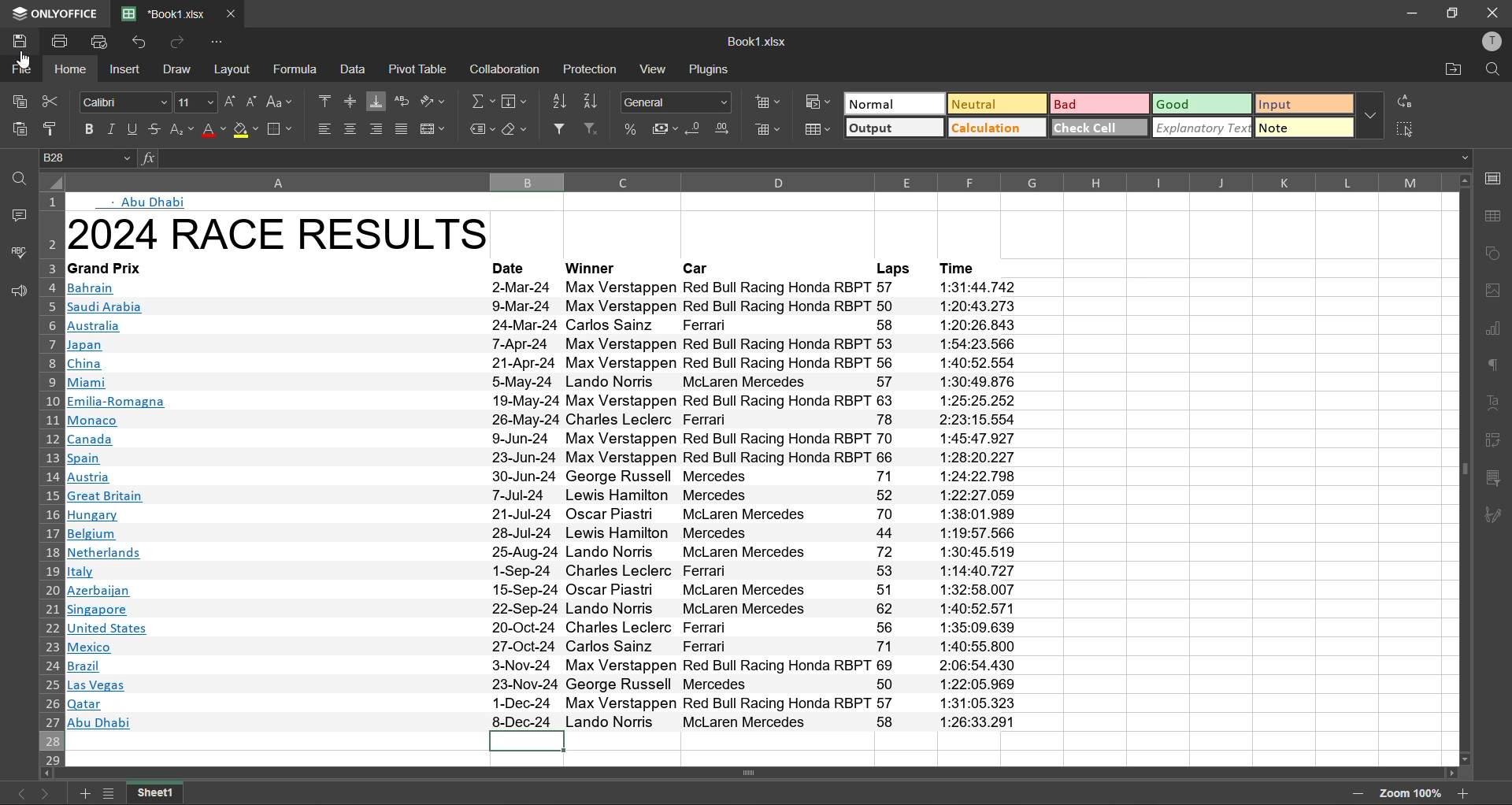 This screenshot has width=1512, height=805. Describe the element at coordinates (542, 420) in the screenshot. I see `‘Monaco 26-May-24 Charles Leclerc Ferrari 78 2:23:15.554` at that location.